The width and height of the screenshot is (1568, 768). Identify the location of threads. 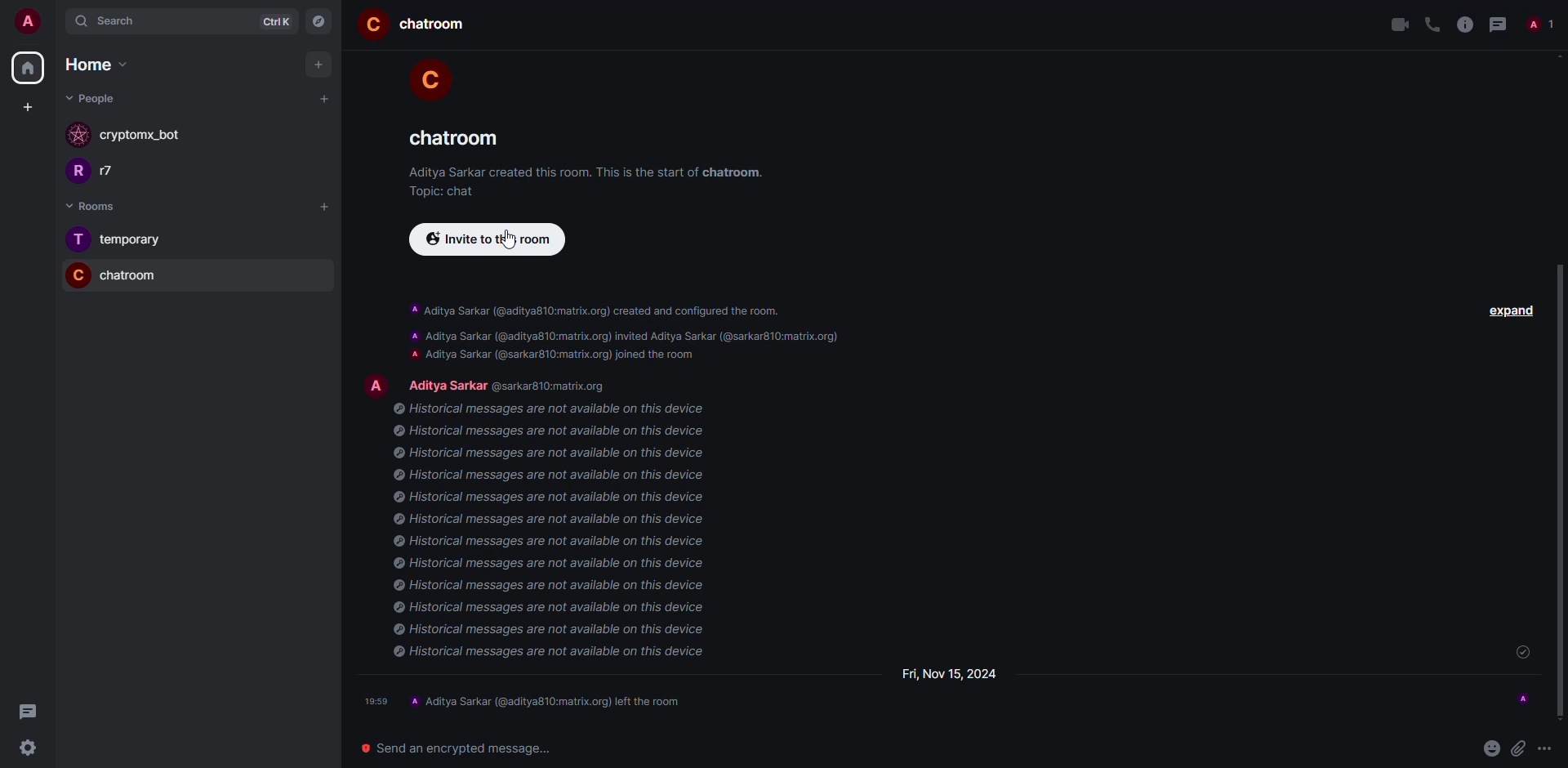
(24, 712).